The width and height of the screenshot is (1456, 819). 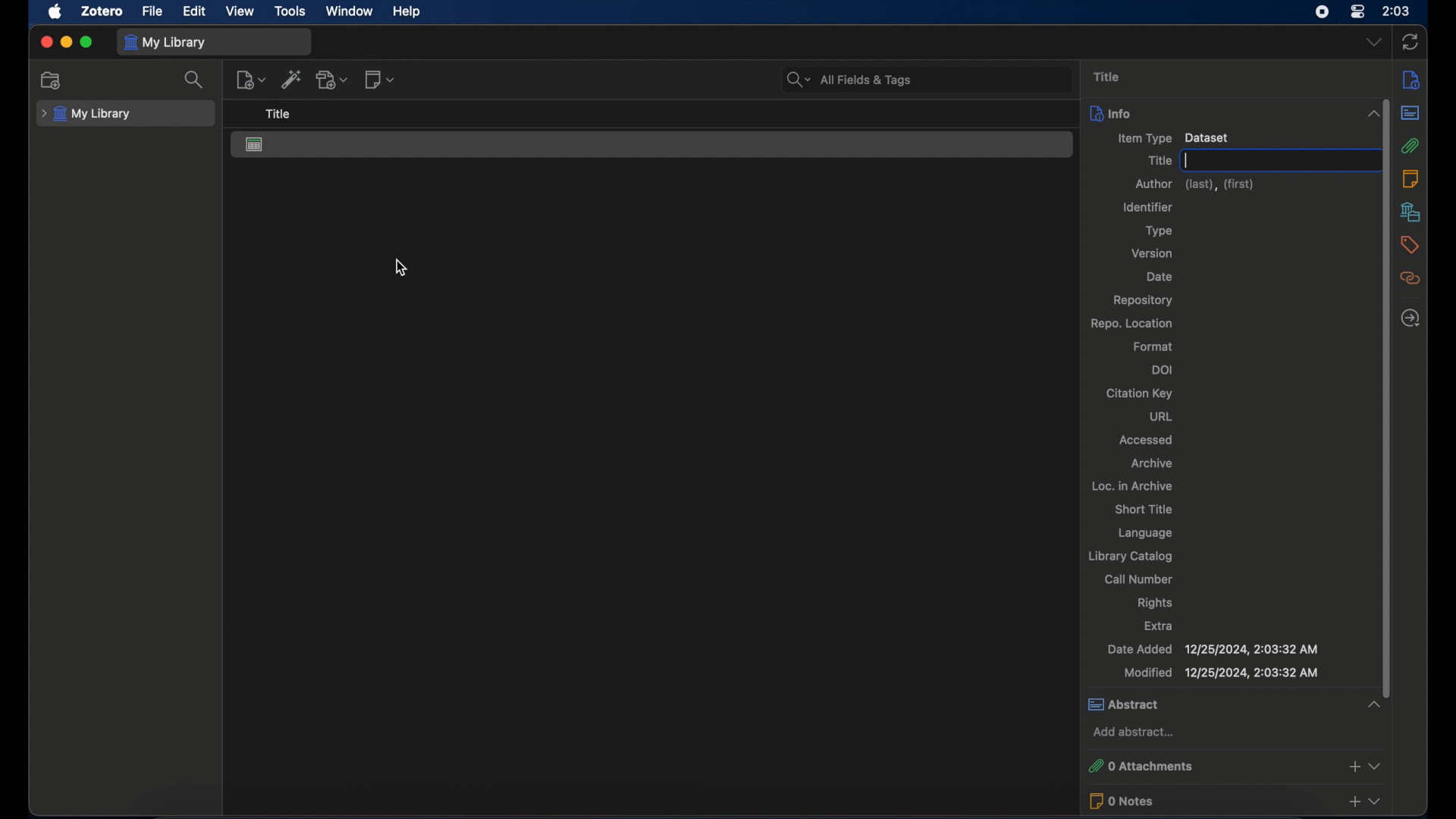 What do you see at coordinates (1137, 732) in the screenshot?
I see `add abstract` at bounding box center [1137, 732].